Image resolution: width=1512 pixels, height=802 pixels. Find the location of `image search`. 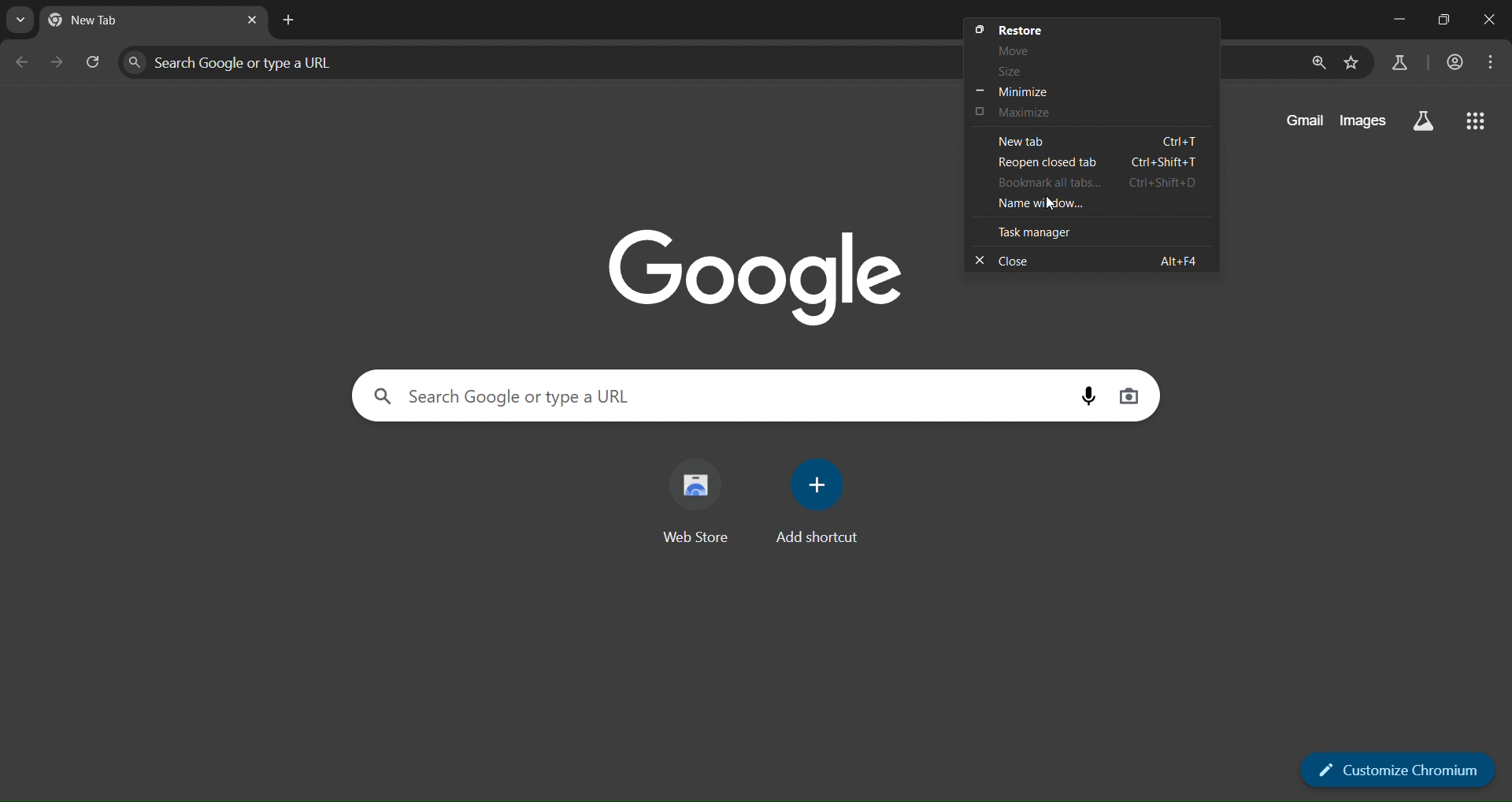

image search is located at coordinates (1131, 395).